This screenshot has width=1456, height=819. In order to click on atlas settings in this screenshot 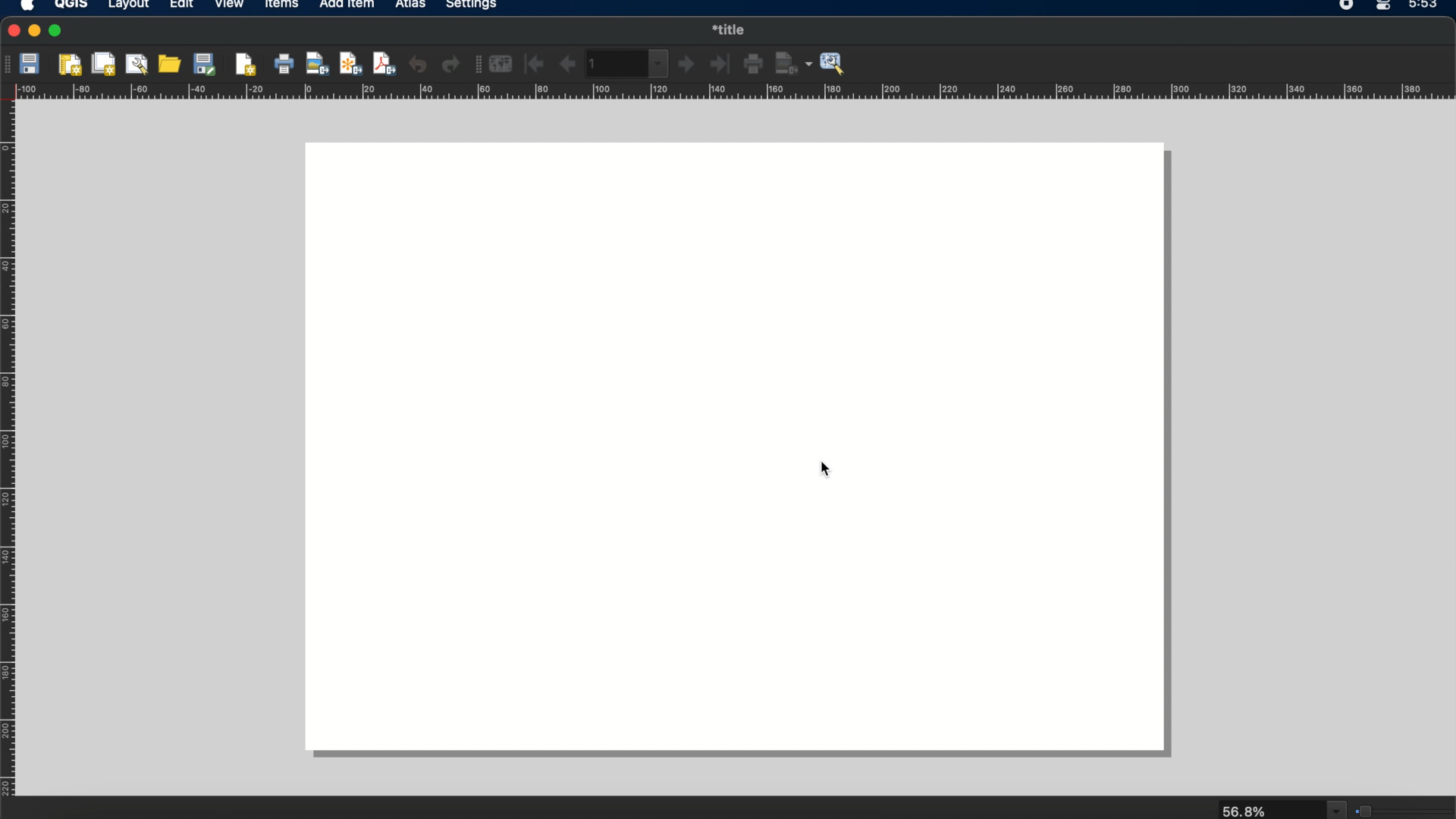, I will do `click(834, 64)`.